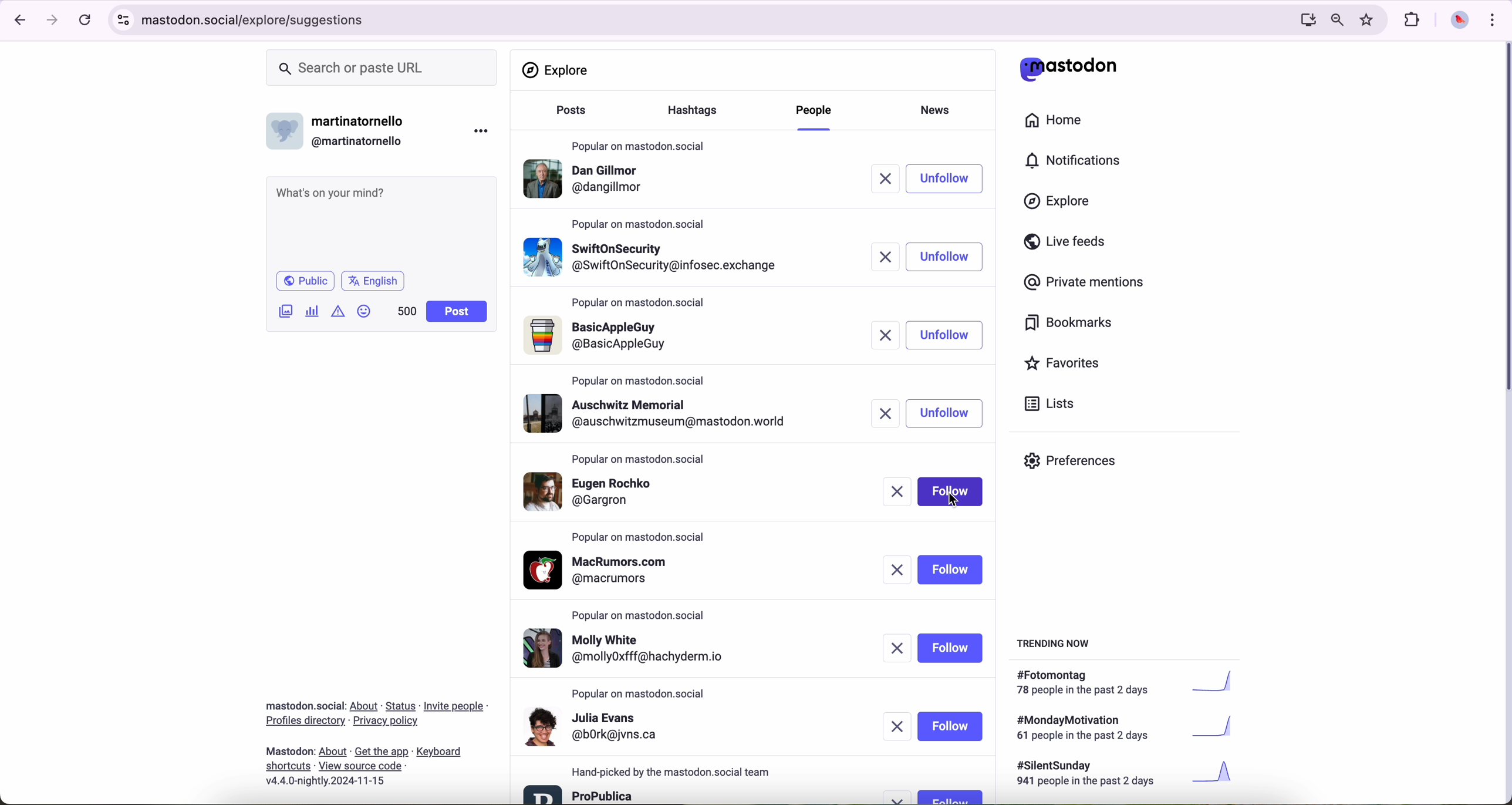 Image resolution: width=1512 pixels, height=805 pixels. I want to click on profile, so click(601, 336).